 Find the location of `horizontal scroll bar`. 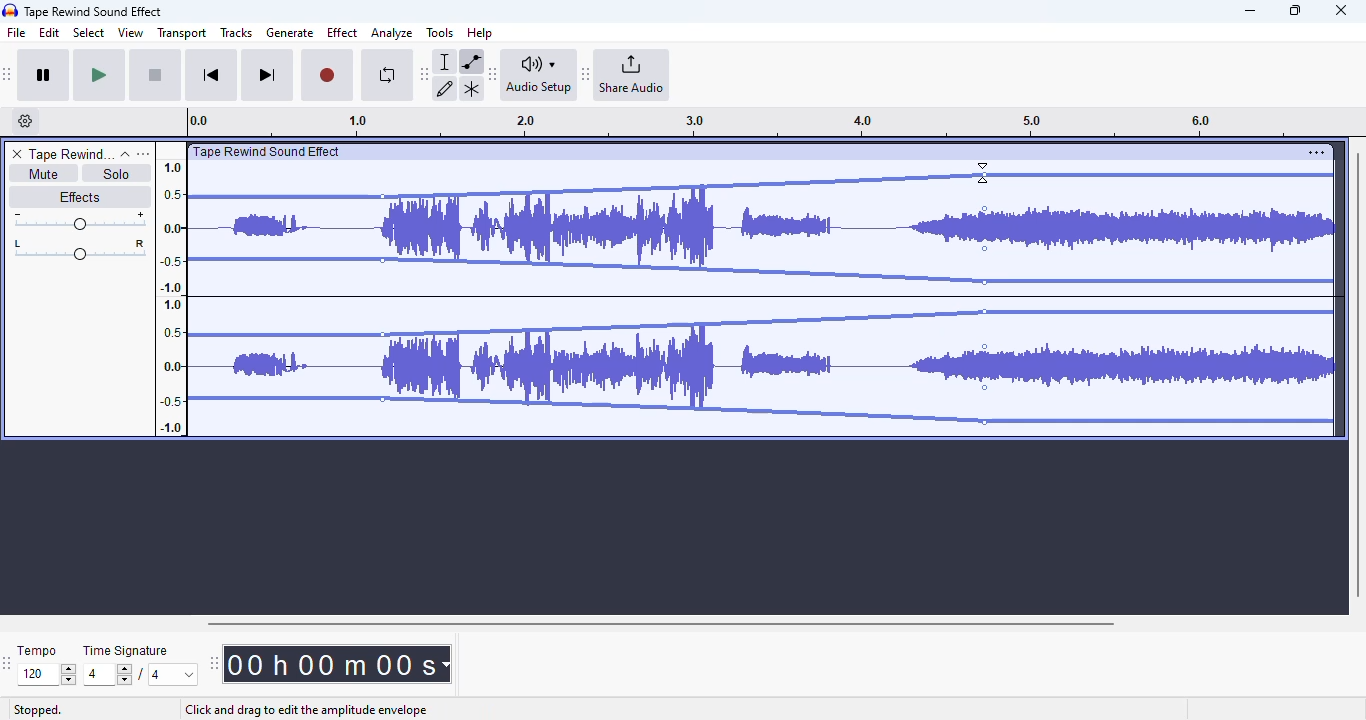

horizontal scroll bar is located at coordinates (660, 623).